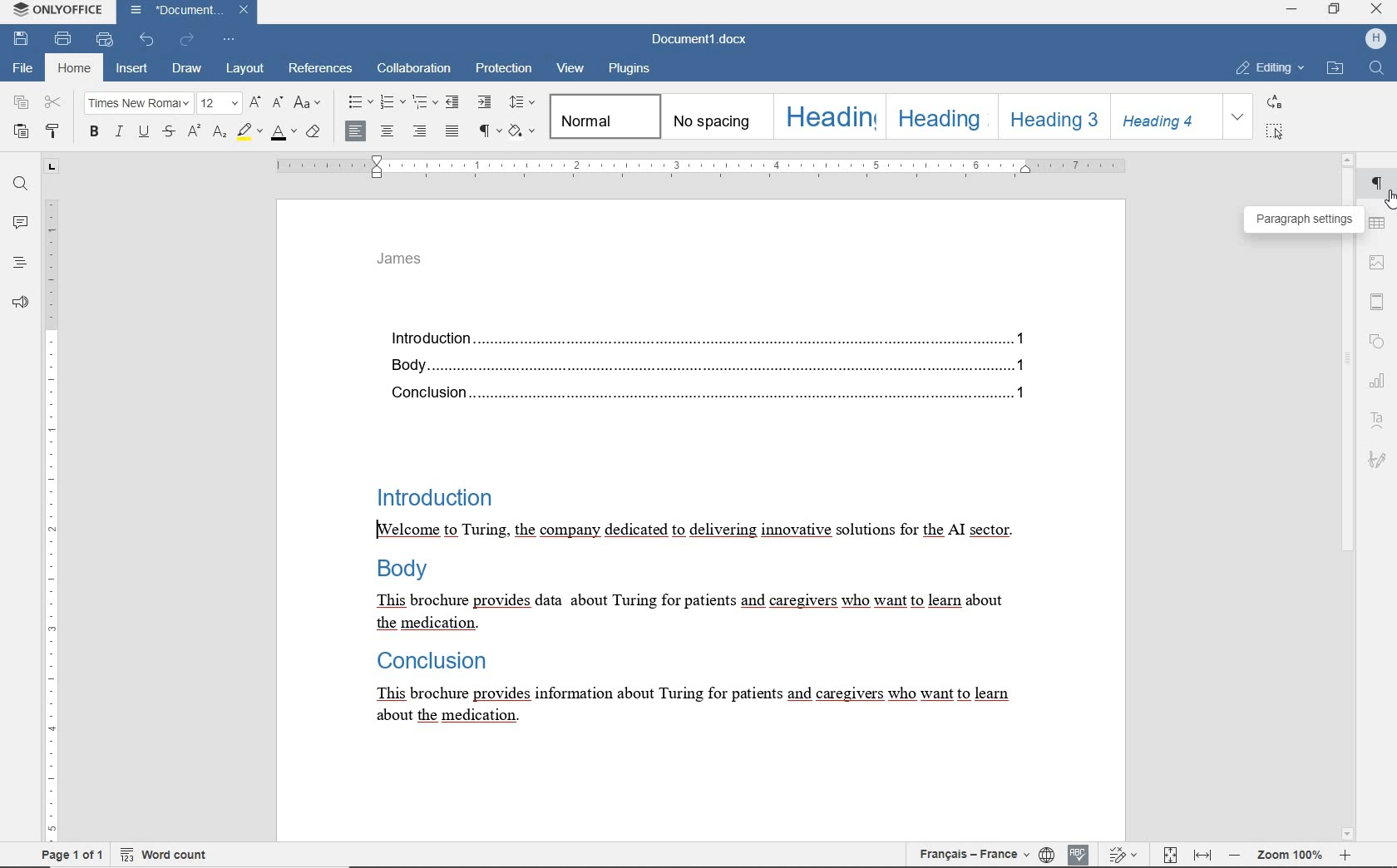  What do you see at coordinates (21, 133) in the screenshot?
I see `paste` at bounding box center [21, 133].